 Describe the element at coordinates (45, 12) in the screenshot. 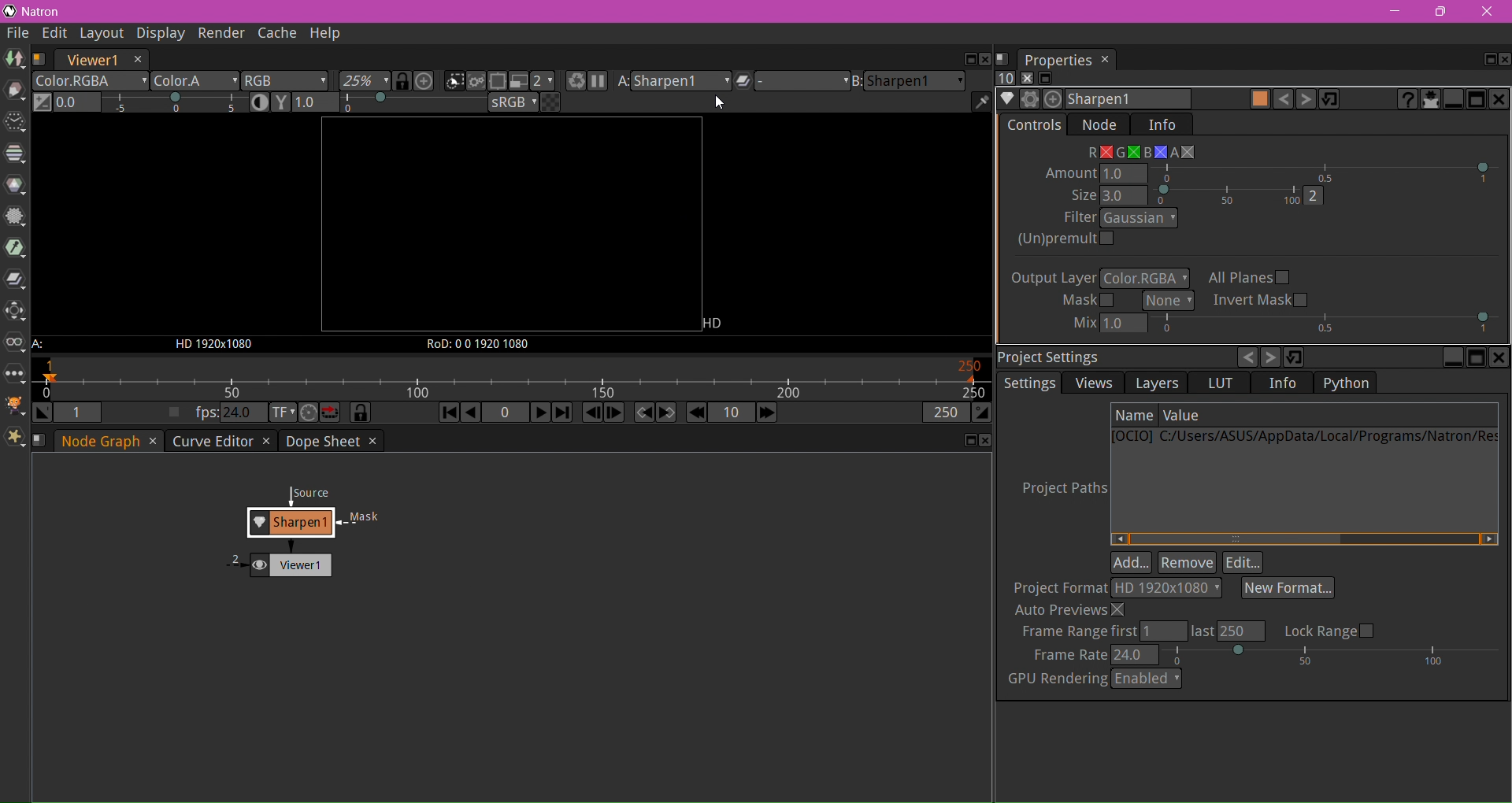

I see `Application Name` at that location.